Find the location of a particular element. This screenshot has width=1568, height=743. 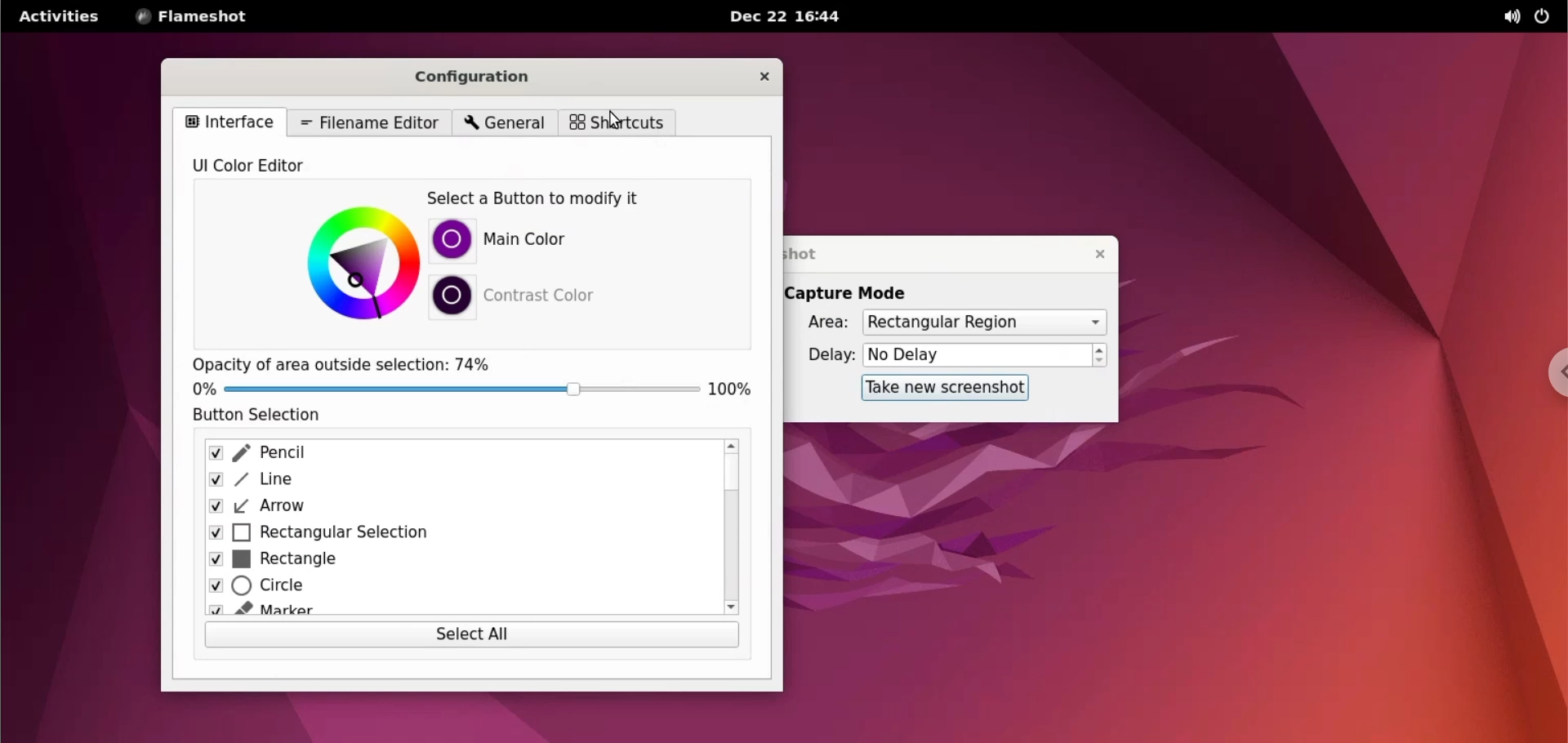

flameshot options is located at coordinates (194, 16).